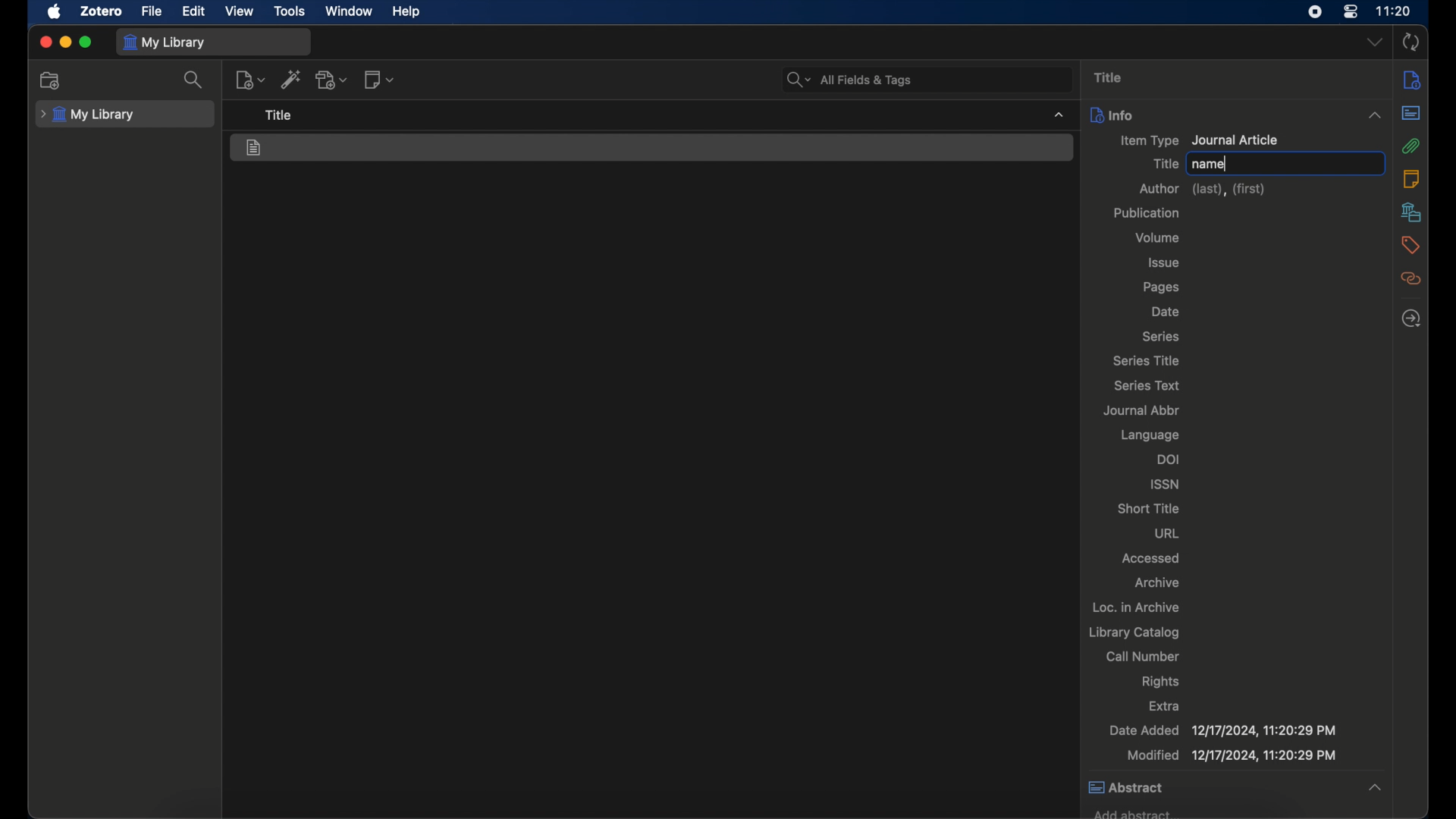 Image resolution: width=1456 pixels, height=819 pixels. I want to click on tools, so click(290, 11).